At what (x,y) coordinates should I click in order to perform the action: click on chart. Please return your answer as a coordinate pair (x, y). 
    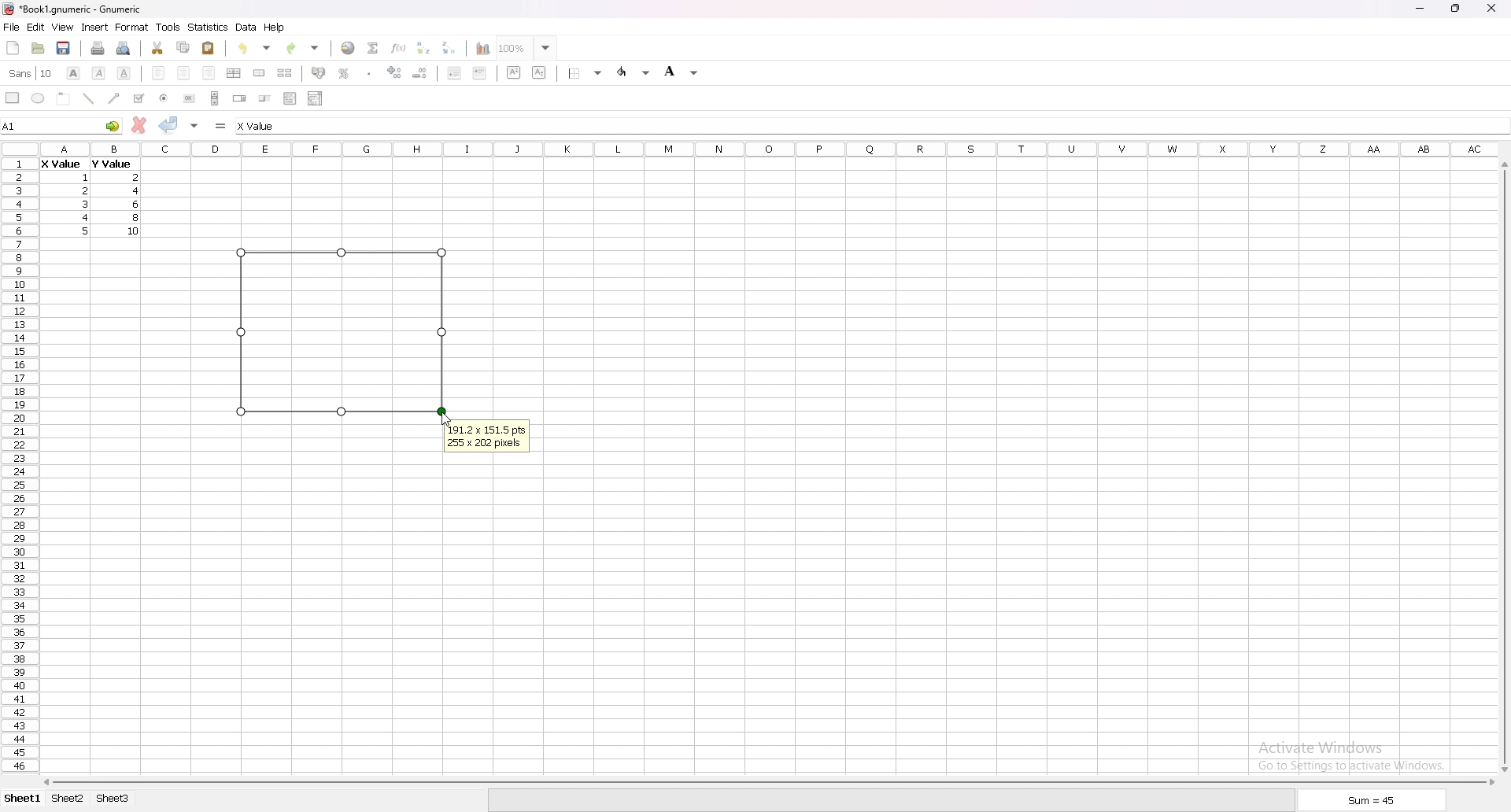
    Looking at the image, I should click on (478, 49).